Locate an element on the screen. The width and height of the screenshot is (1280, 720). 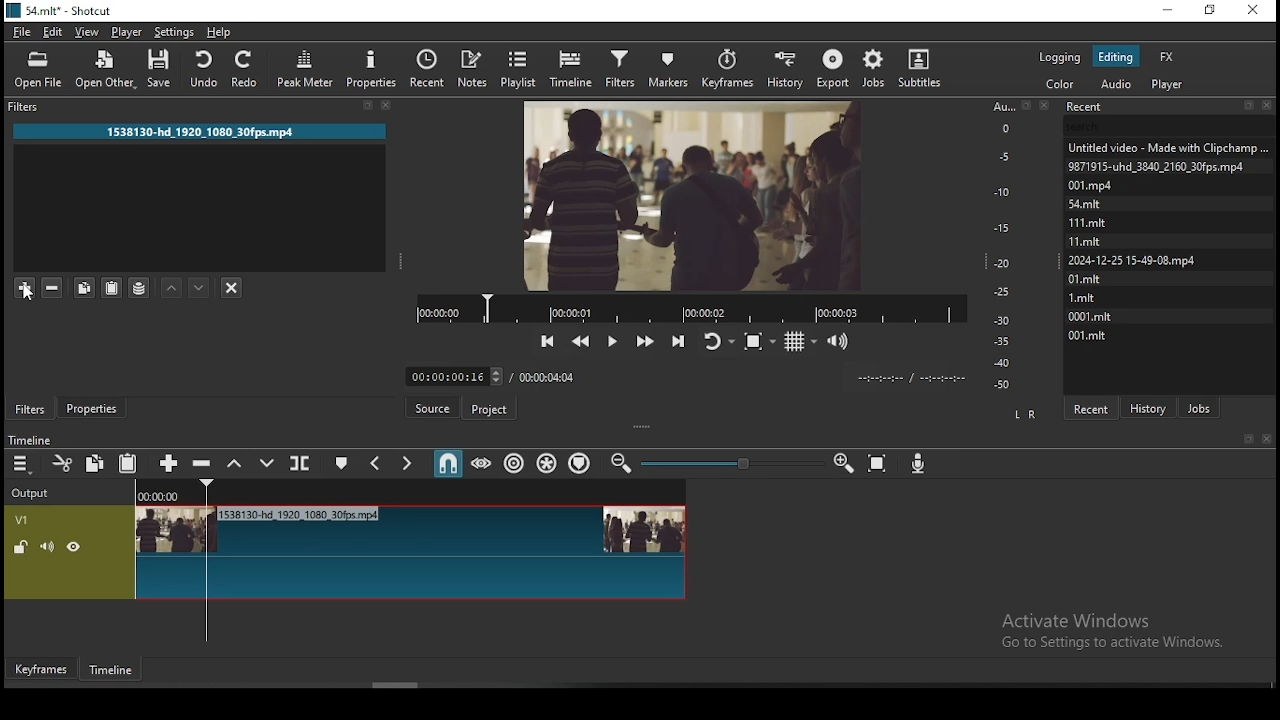
minimize is located at coordinates (1166, 11).